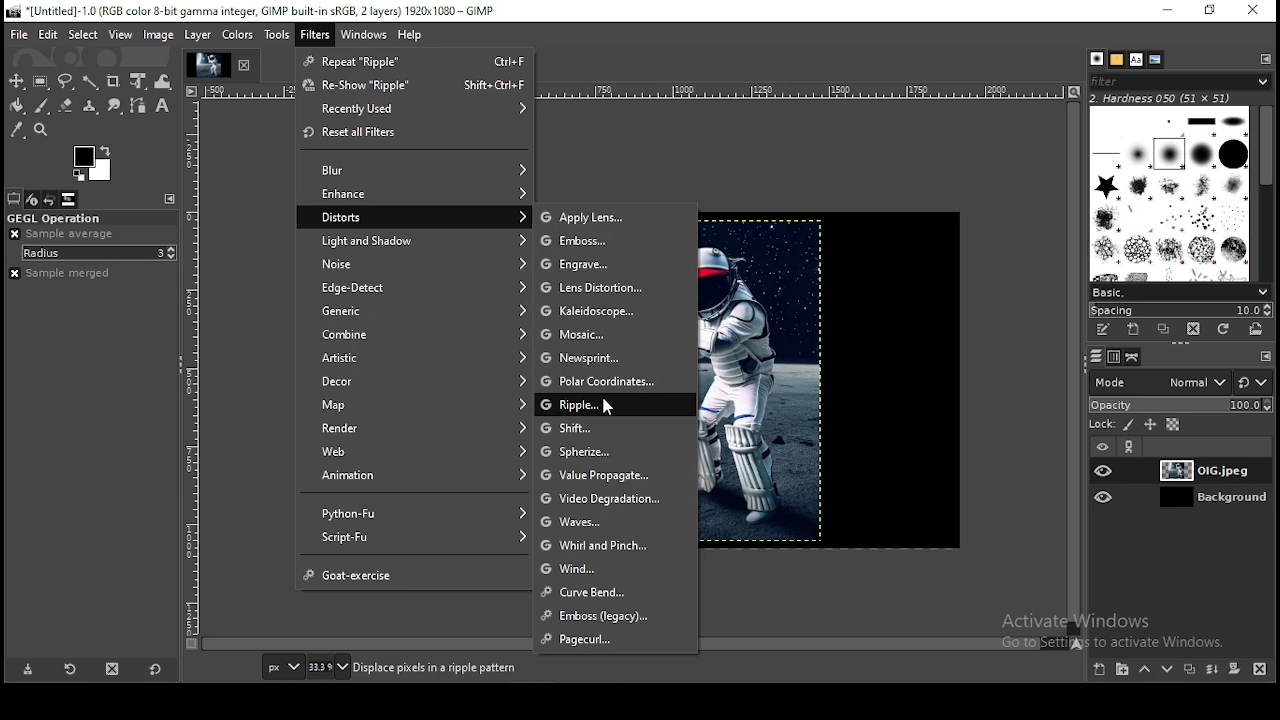 This screenshot has height=720, width=1280. What do you see at coordinates (416, 63) in the screenshot?
I see `repeat "ripple"` at bounding box center [416, 63].